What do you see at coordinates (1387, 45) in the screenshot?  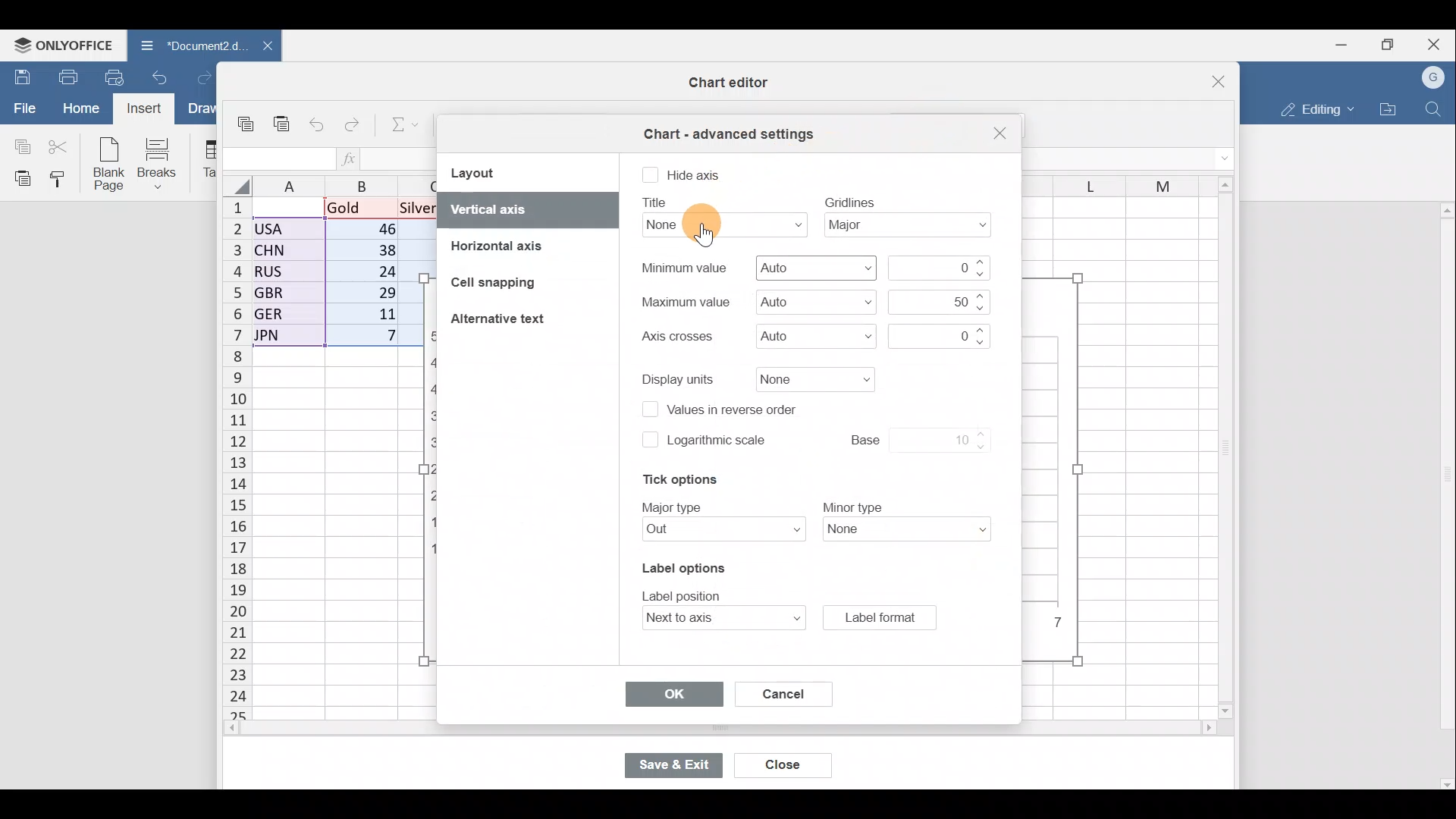 I see `Maximize` at bounding box center [1387, 45].